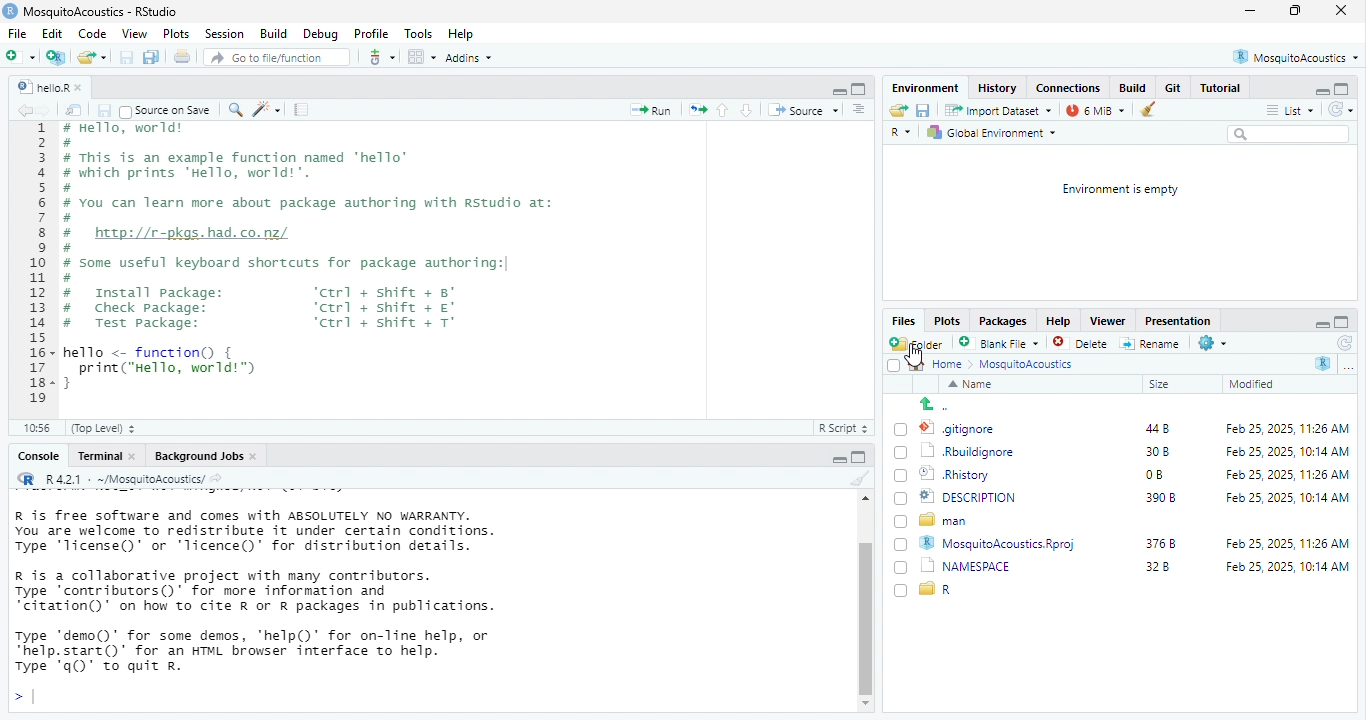 This screenshot has height=720, width=1366. Describe the element at coordinates (36, 458) in the screenshot. I see `Console` at that location.